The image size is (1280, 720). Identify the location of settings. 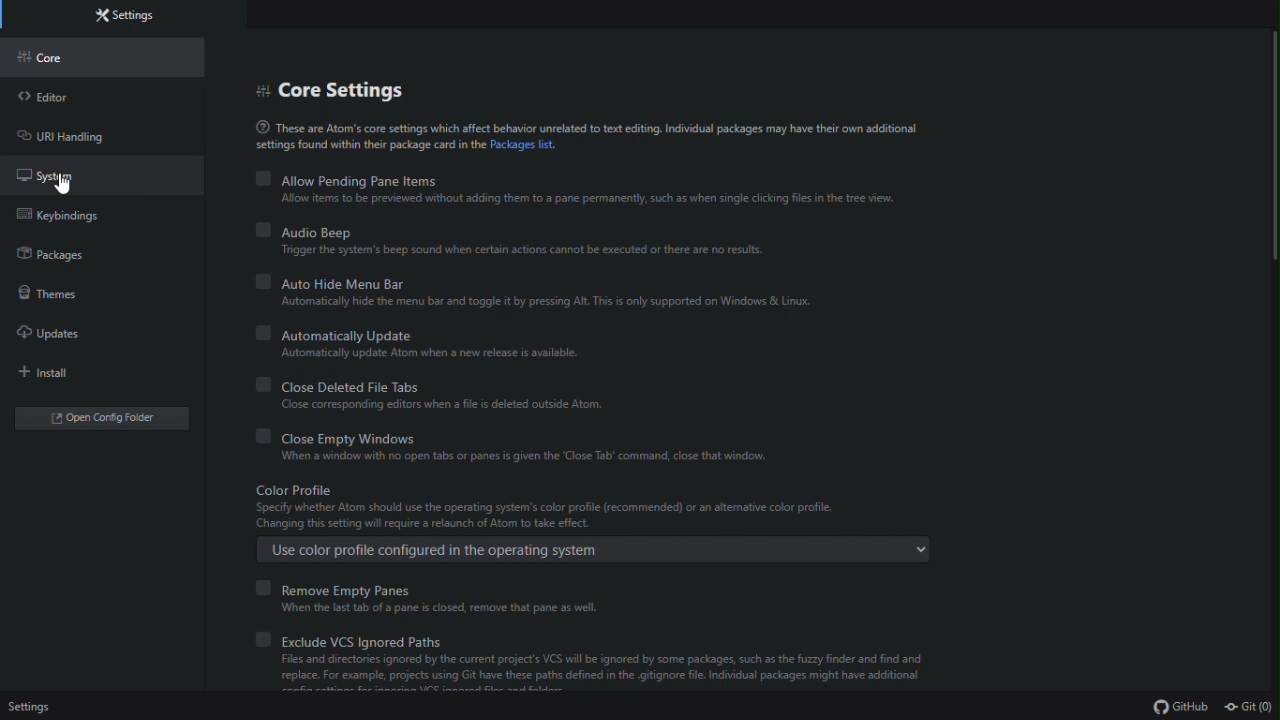
(121, 17).